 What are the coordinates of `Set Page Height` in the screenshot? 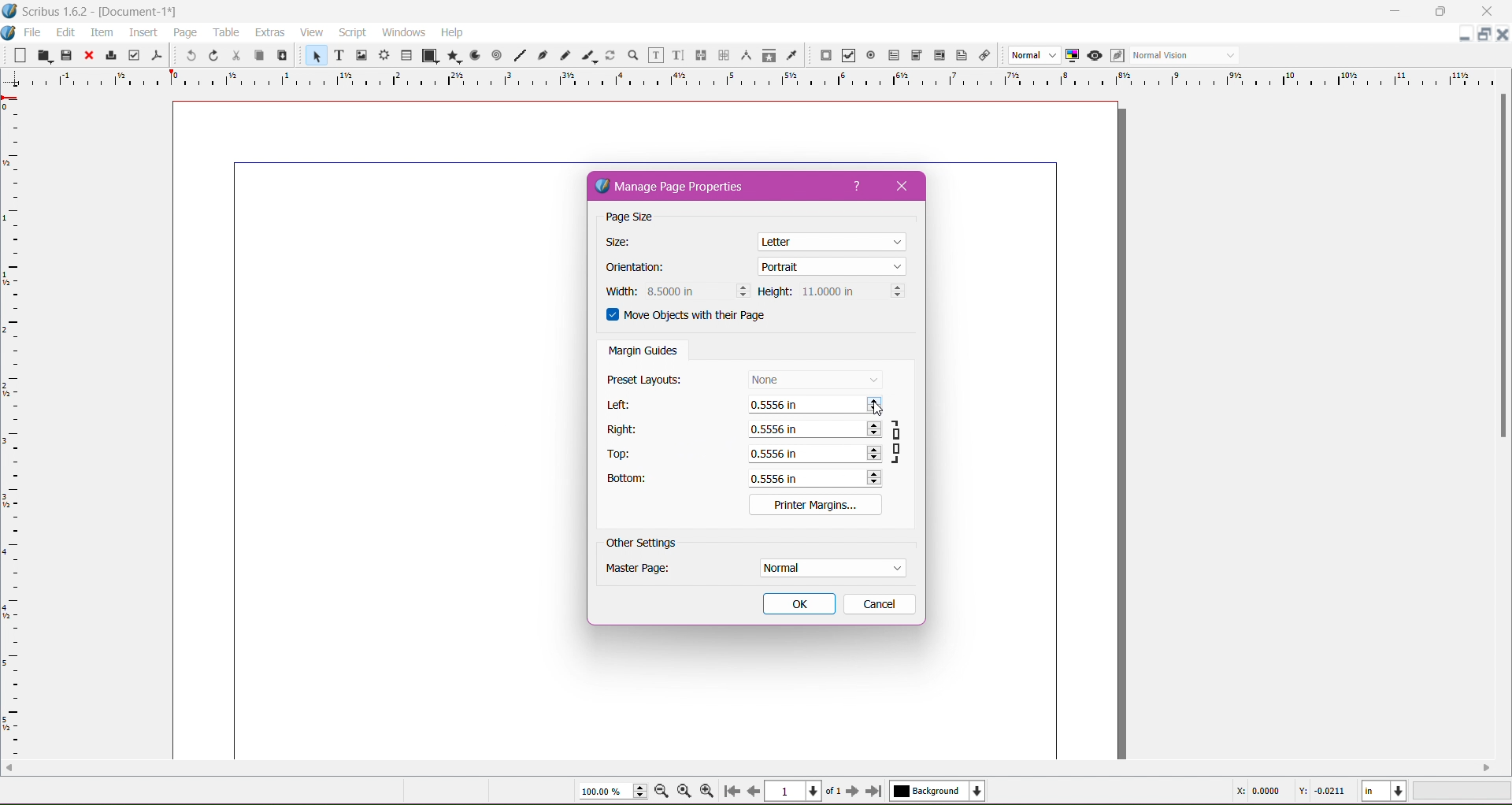 It's located at (851, 292).